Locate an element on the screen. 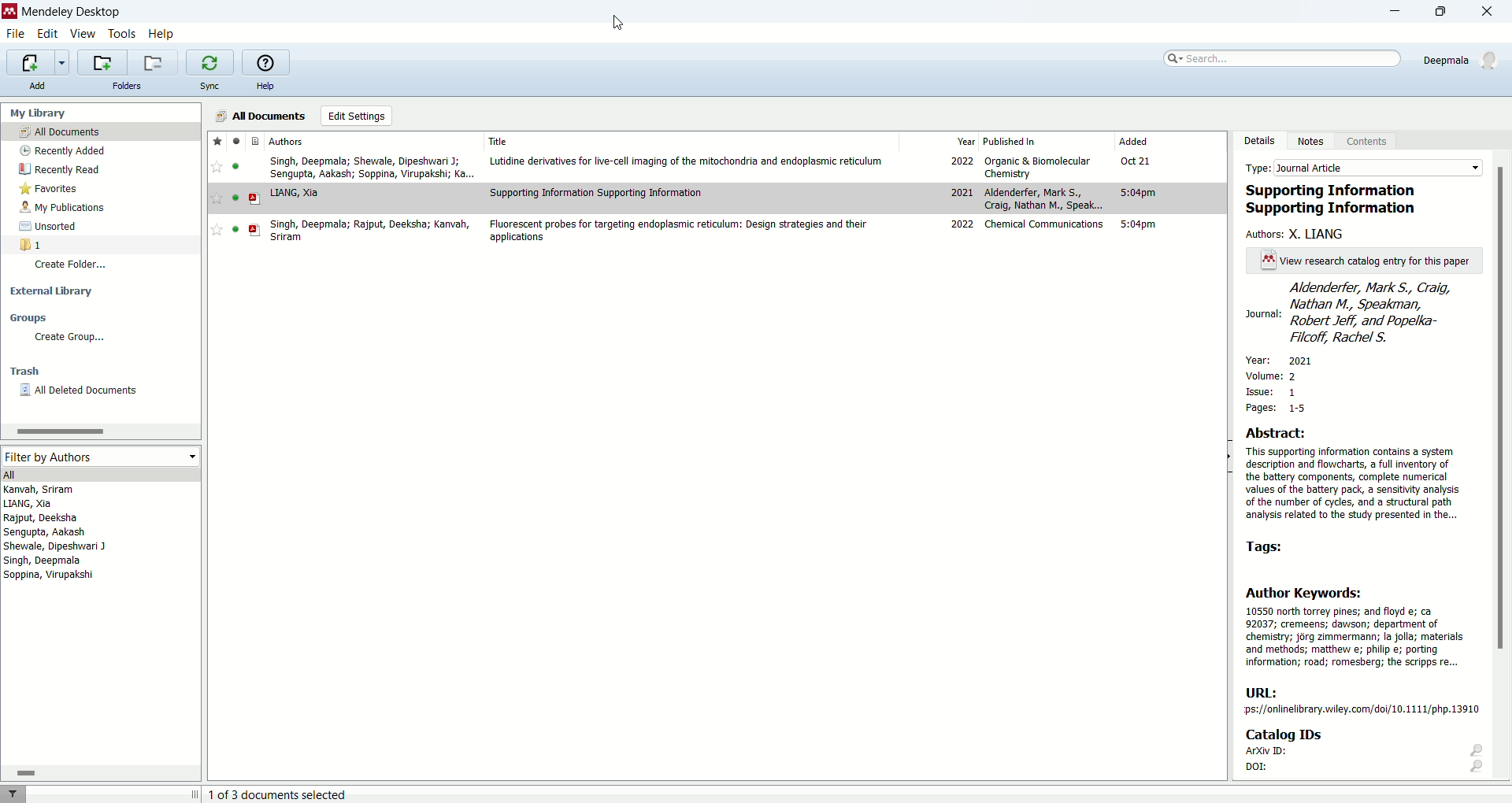  all documents is located at coordinates (261, 115).